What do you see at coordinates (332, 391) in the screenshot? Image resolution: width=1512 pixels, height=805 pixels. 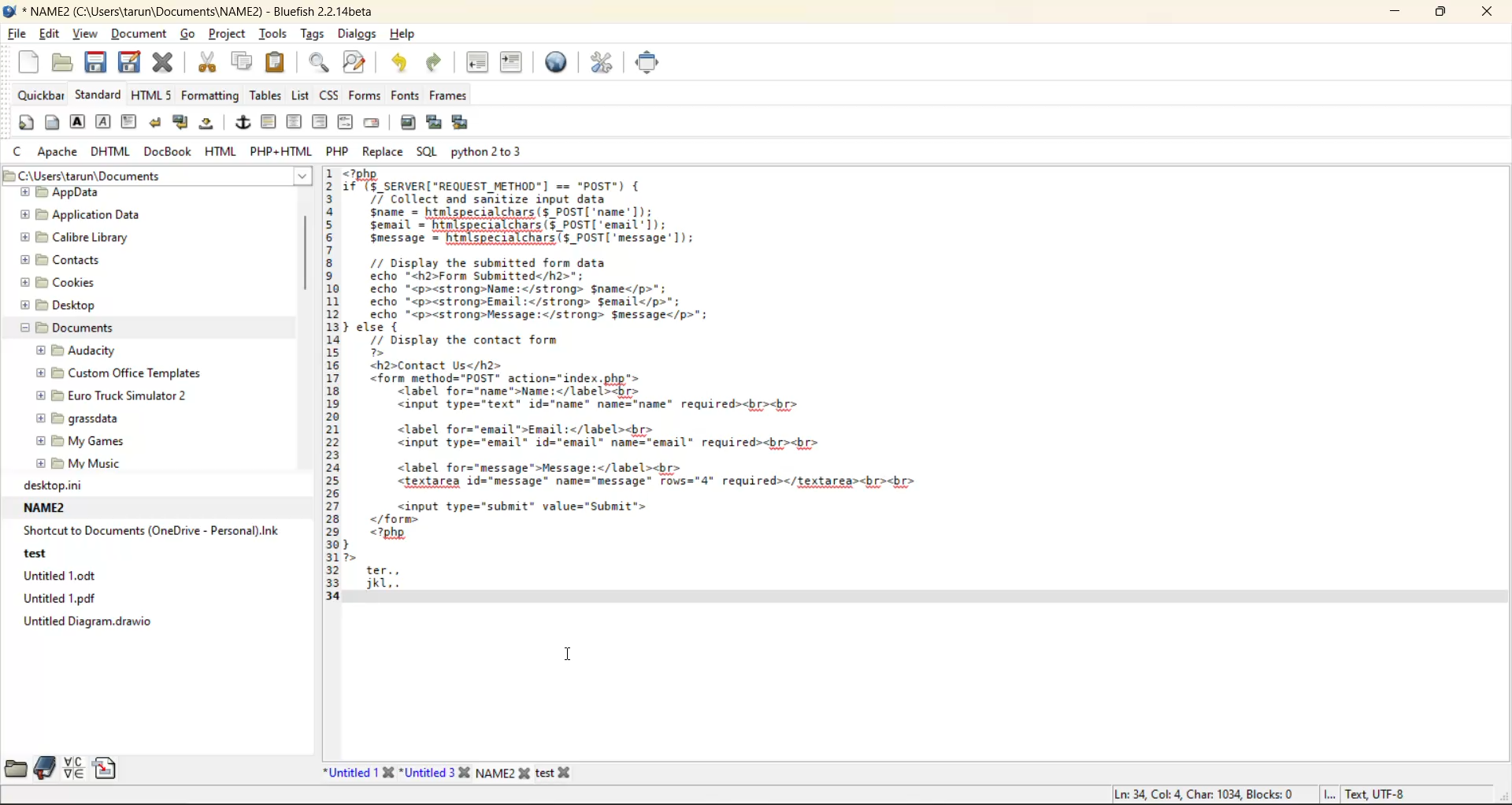 I see `line numberss` at bounding box center [332, 391].